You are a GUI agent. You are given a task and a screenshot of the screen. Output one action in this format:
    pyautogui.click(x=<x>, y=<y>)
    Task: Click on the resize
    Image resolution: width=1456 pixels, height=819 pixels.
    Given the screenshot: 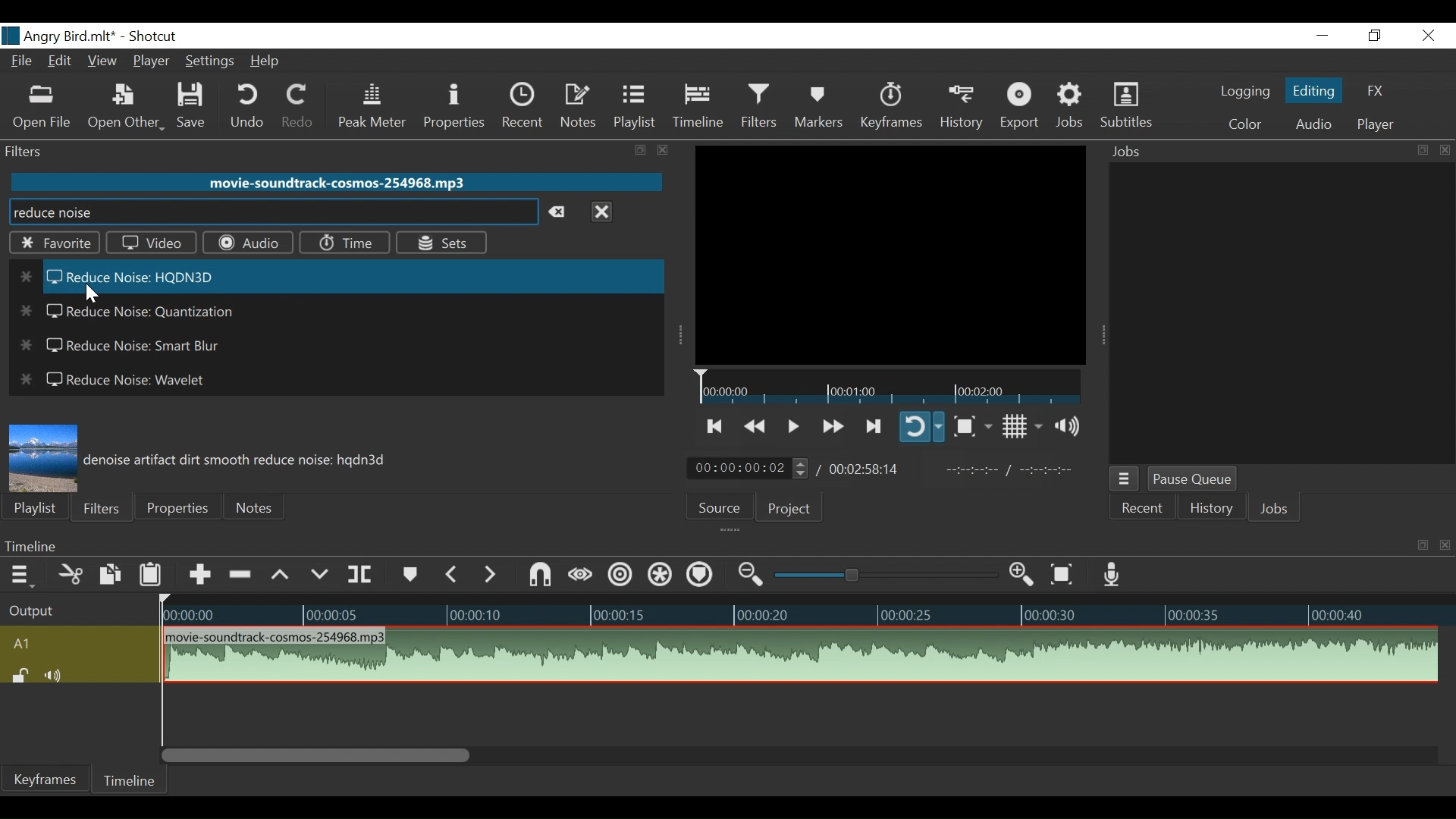 What is the action you would take?
    pyautogui.click(x=1421, y=546)
    